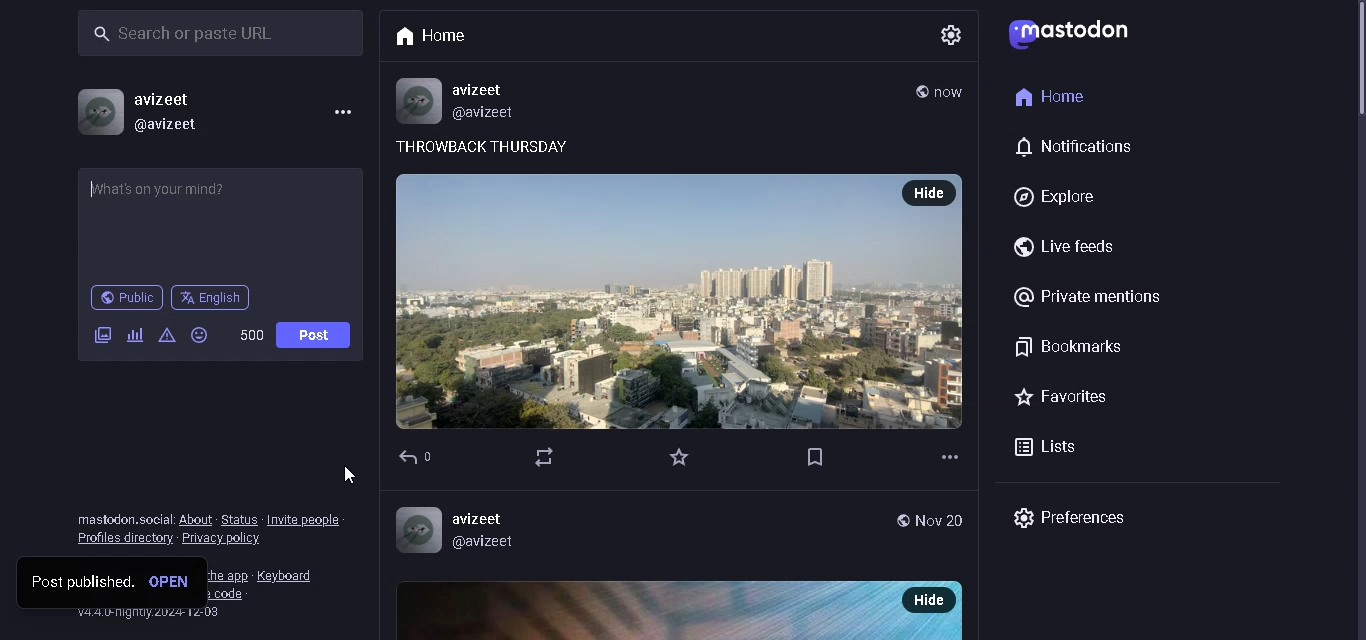  I want to click on @avizeet, so click(497, 113).